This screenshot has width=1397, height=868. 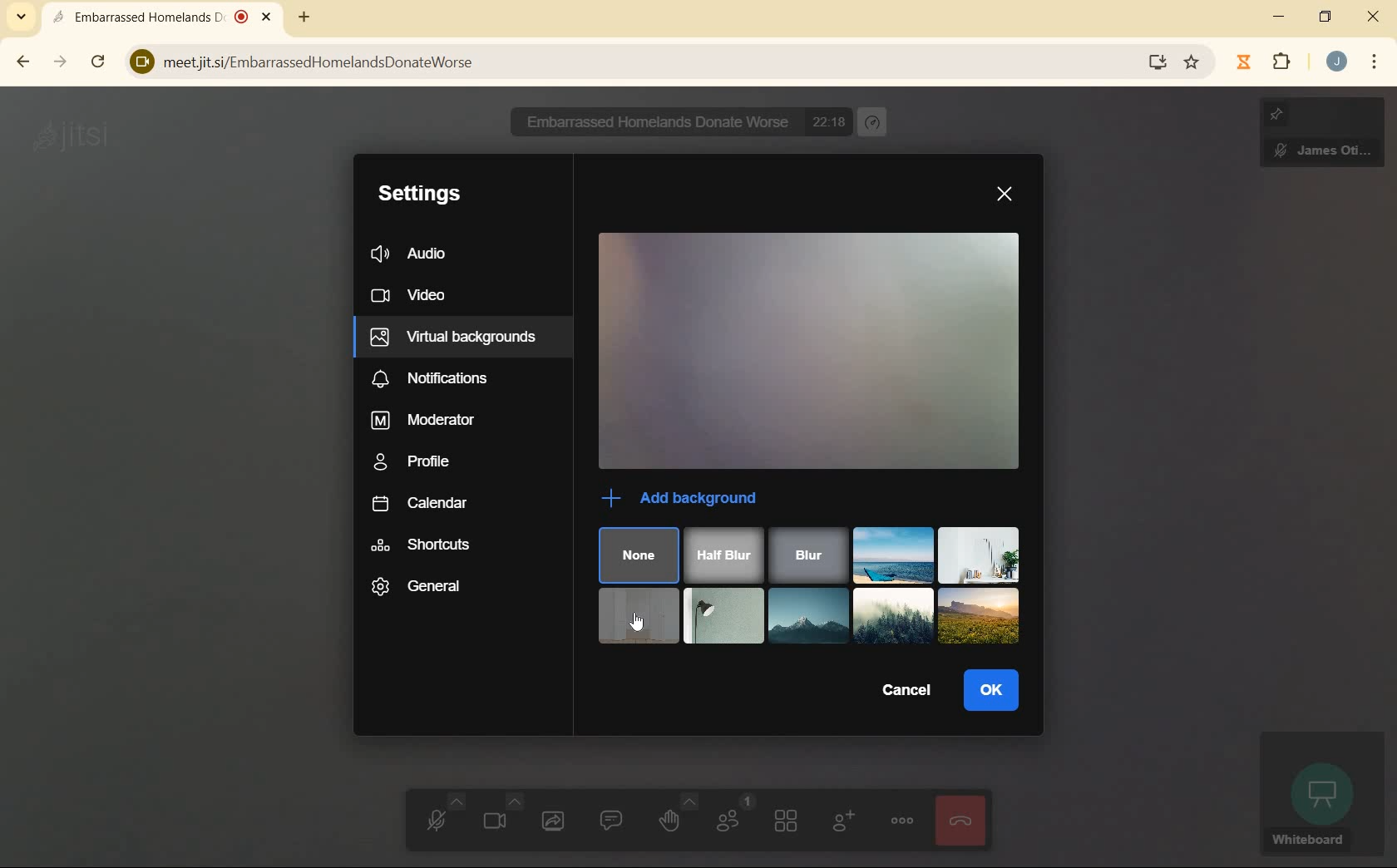 What do you see at coordinates (812, 350) in the screenshot?
I see `video preview` at bounding box center [812, 350].